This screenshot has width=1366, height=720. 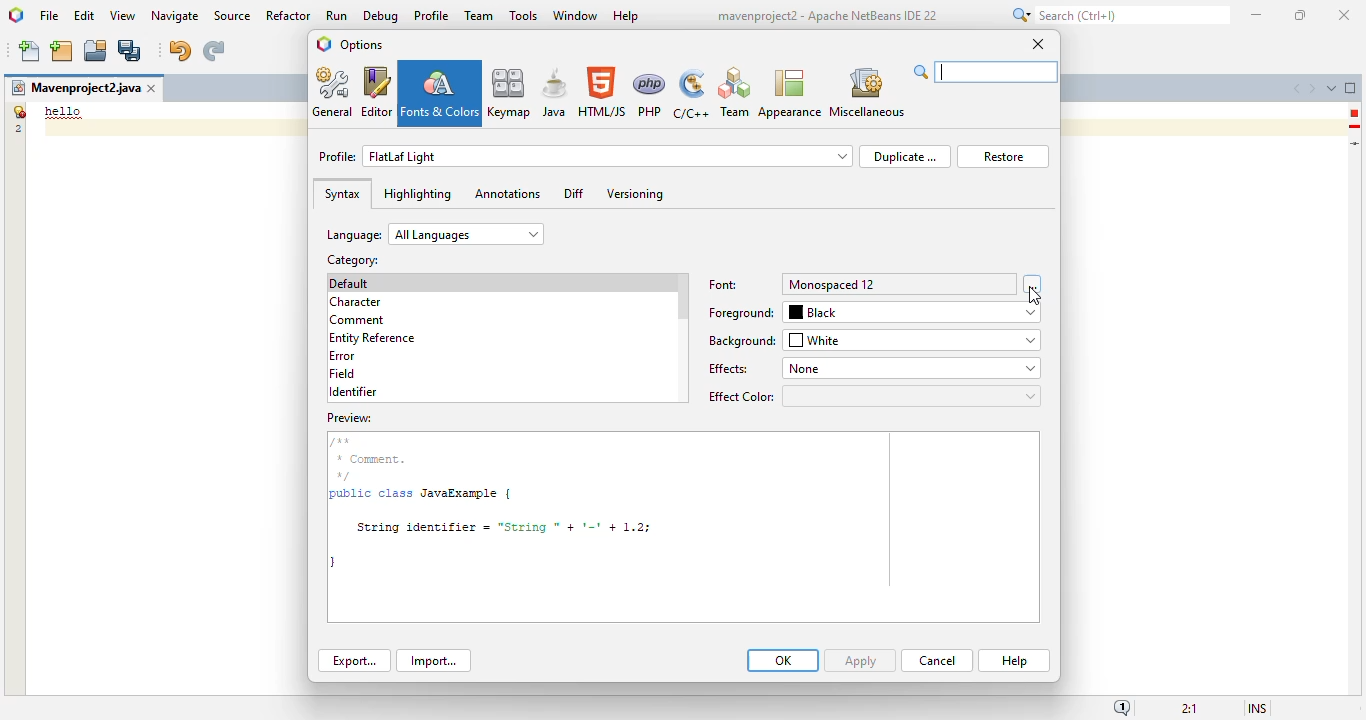 What do you see at coordinates (507, 193) in the screenshot?
I see `annotations` at bounding box center [507, 193].